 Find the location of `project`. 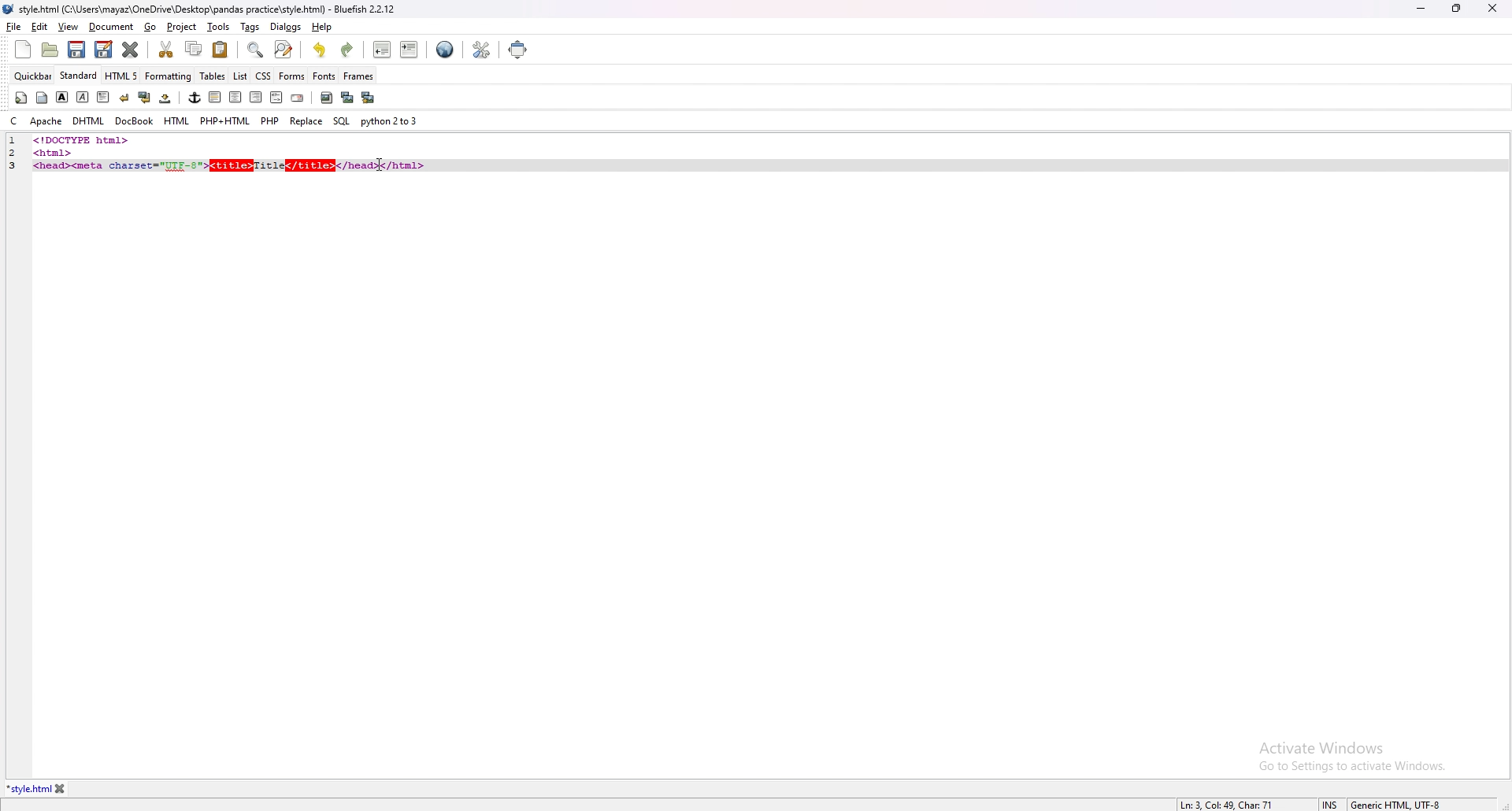

project is located at coordinates (183, 27).